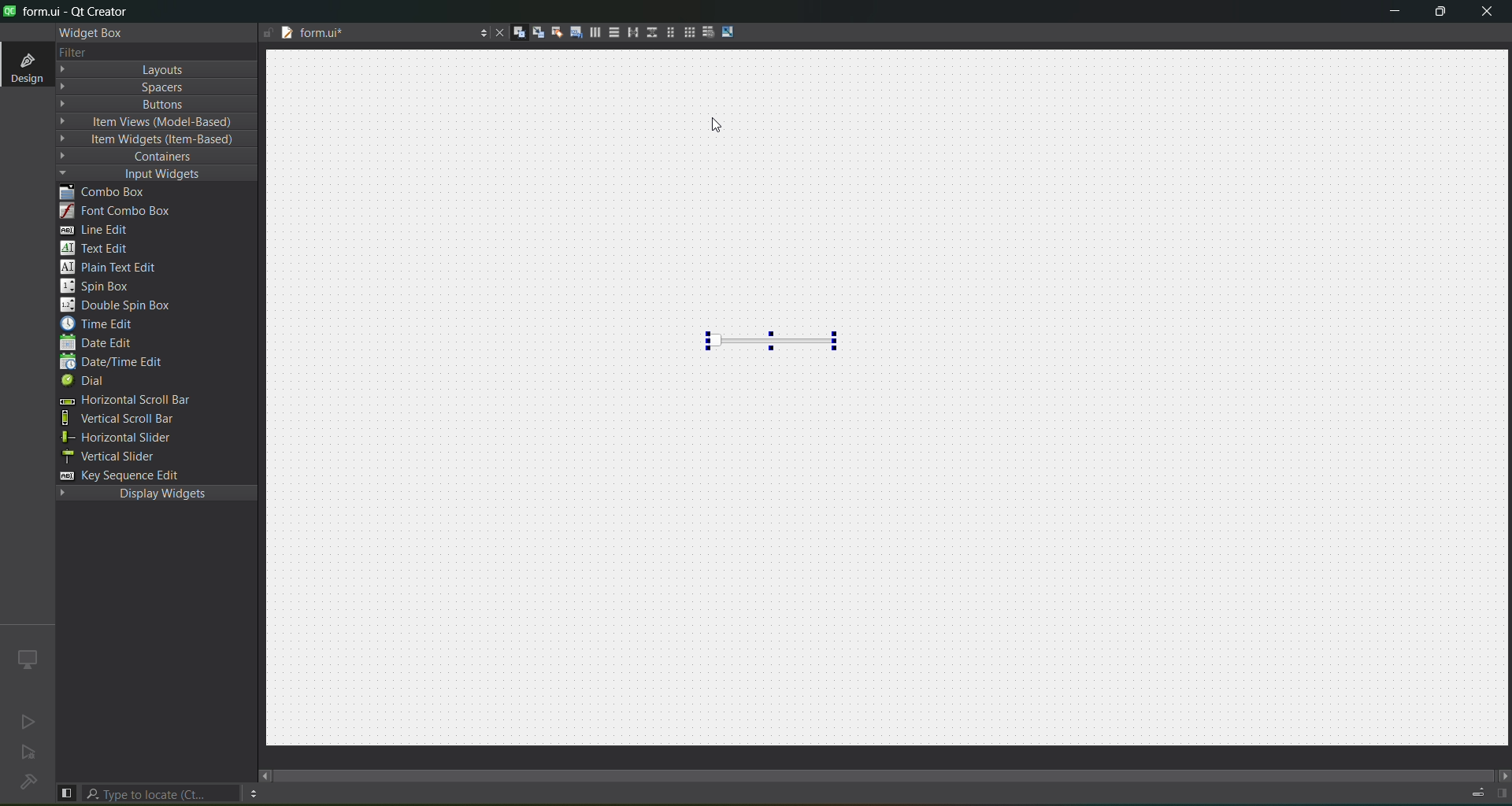 The width and height of the screenshot is (1512, 806). What do you see at coordinates (104, 325) in the screenshot?
I see `time edit` at bounding box center [104, 325].